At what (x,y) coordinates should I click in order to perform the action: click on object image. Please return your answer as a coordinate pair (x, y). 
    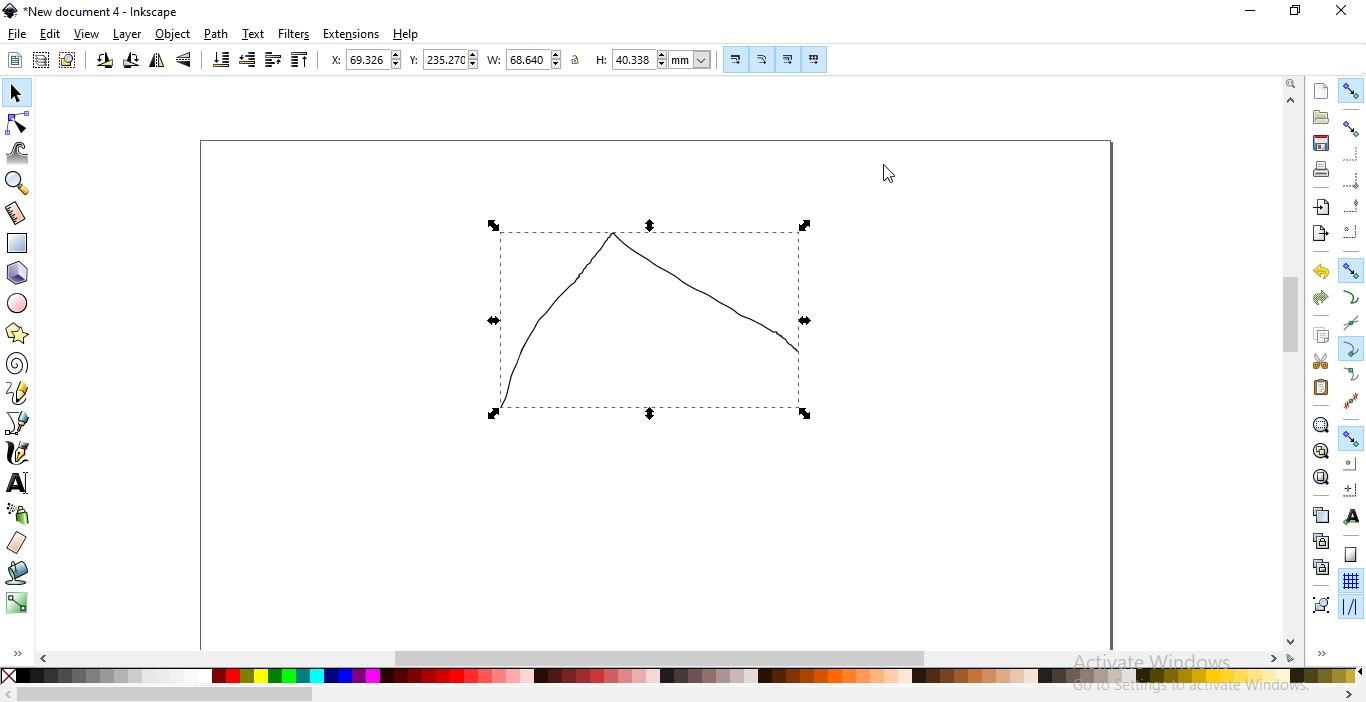
    Looking at the image, I should click on (623, 322).